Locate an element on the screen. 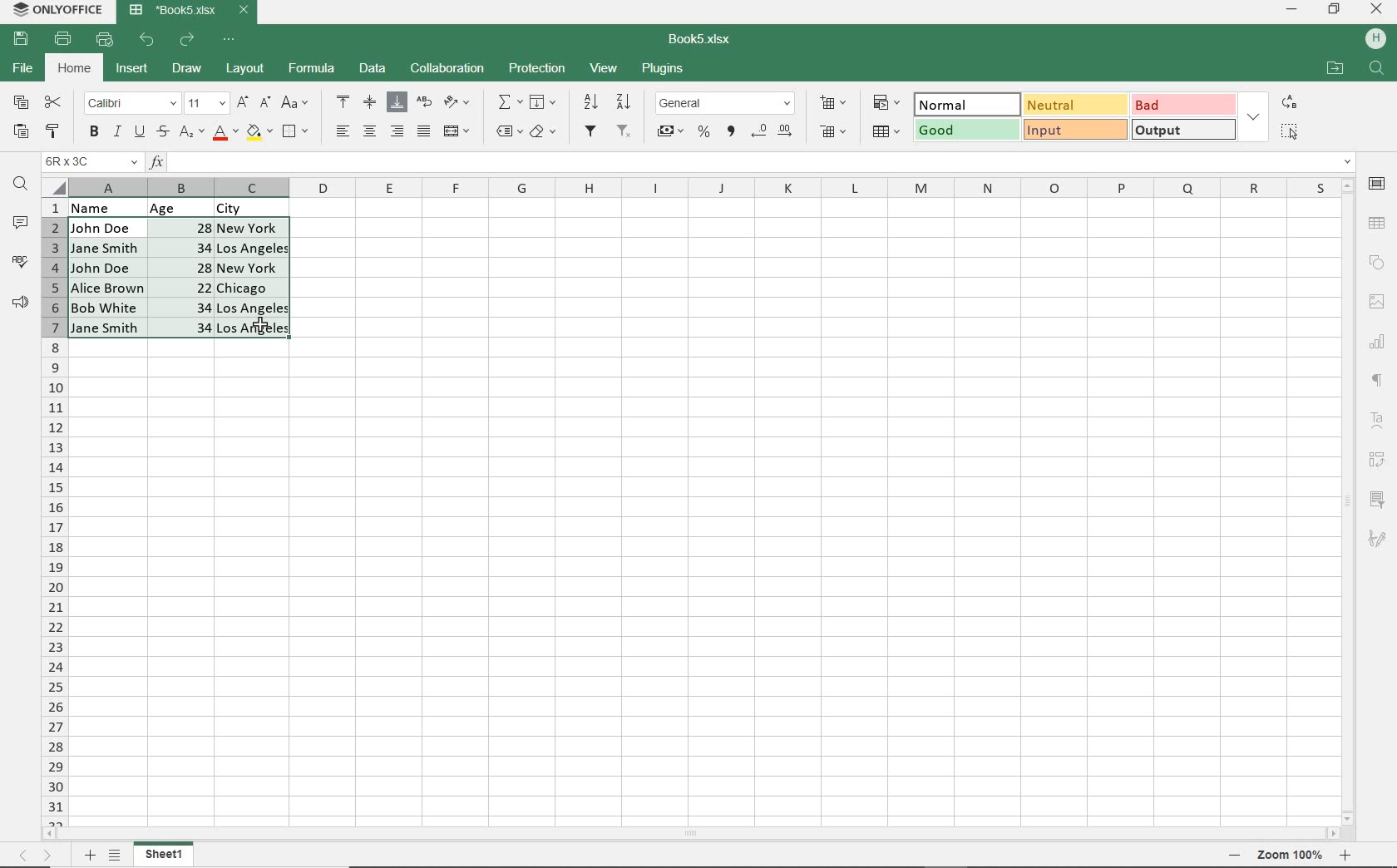 This screenshot has width=1397, height=868. COPY STYLE is located at coordinates (53, 129).